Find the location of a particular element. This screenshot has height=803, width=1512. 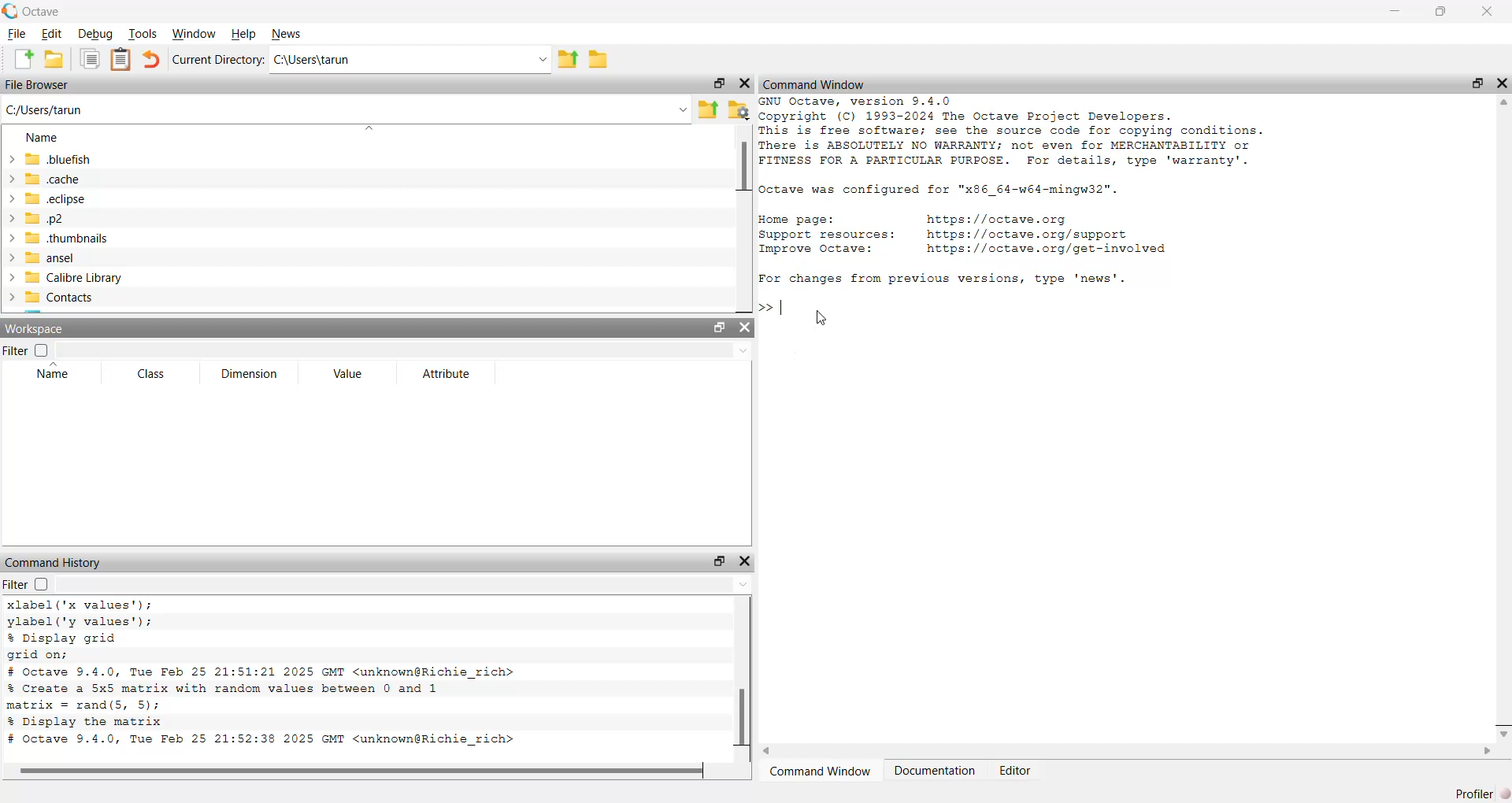

scroll bar is located at coordinates (355, 772).